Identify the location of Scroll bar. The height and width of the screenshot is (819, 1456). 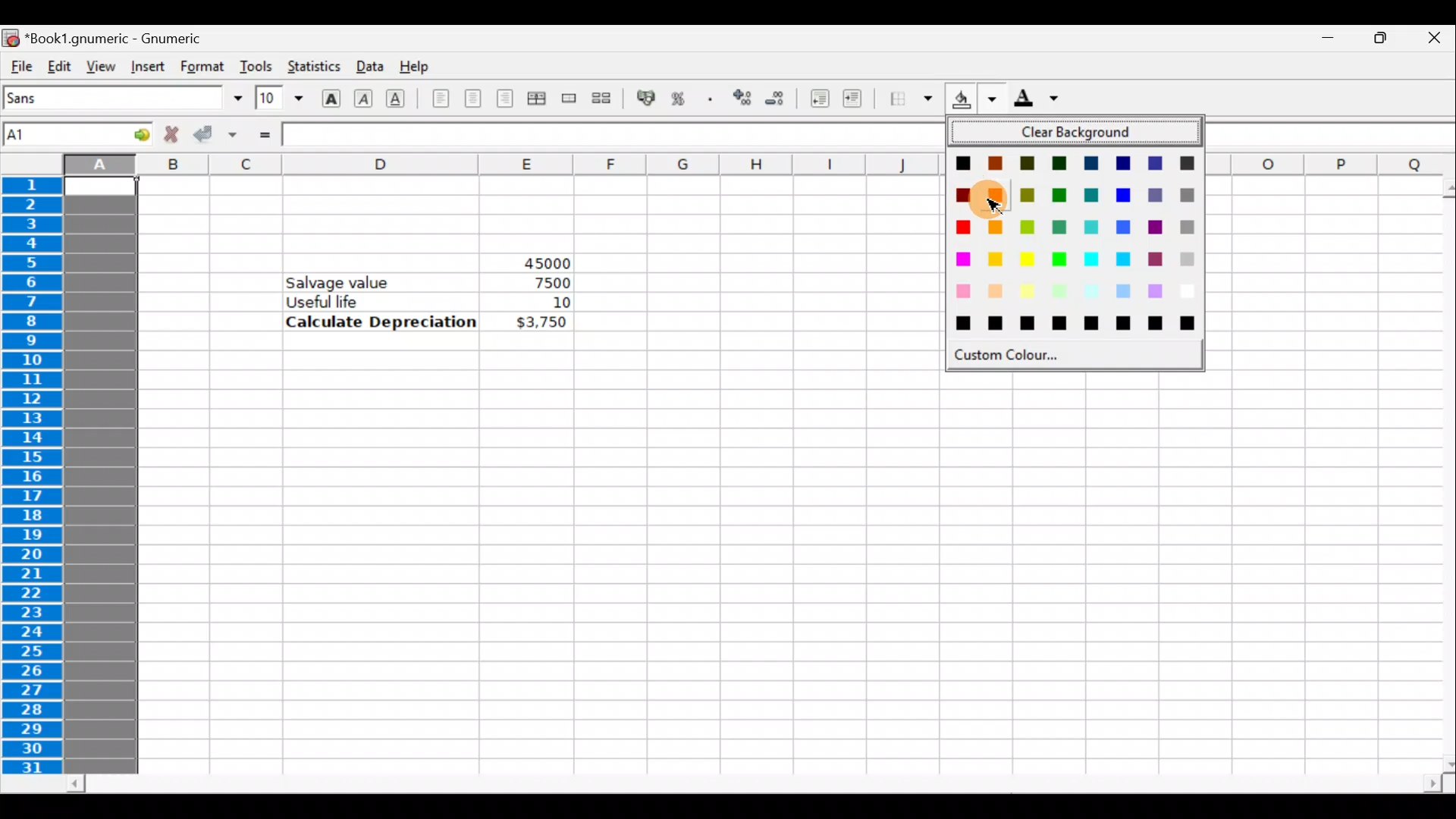
(755, 784).